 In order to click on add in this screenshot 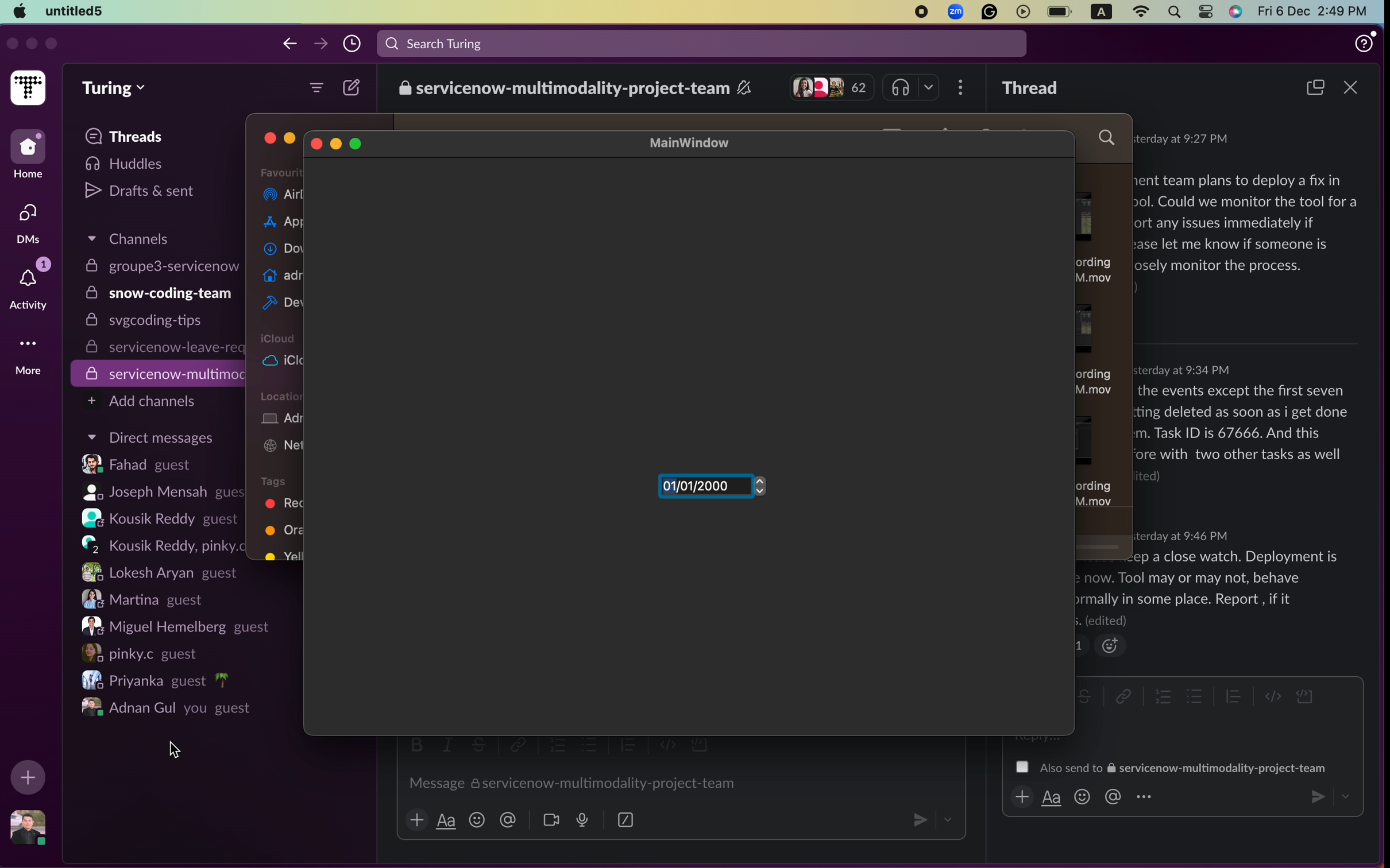, I will do `click(416, 820)`.